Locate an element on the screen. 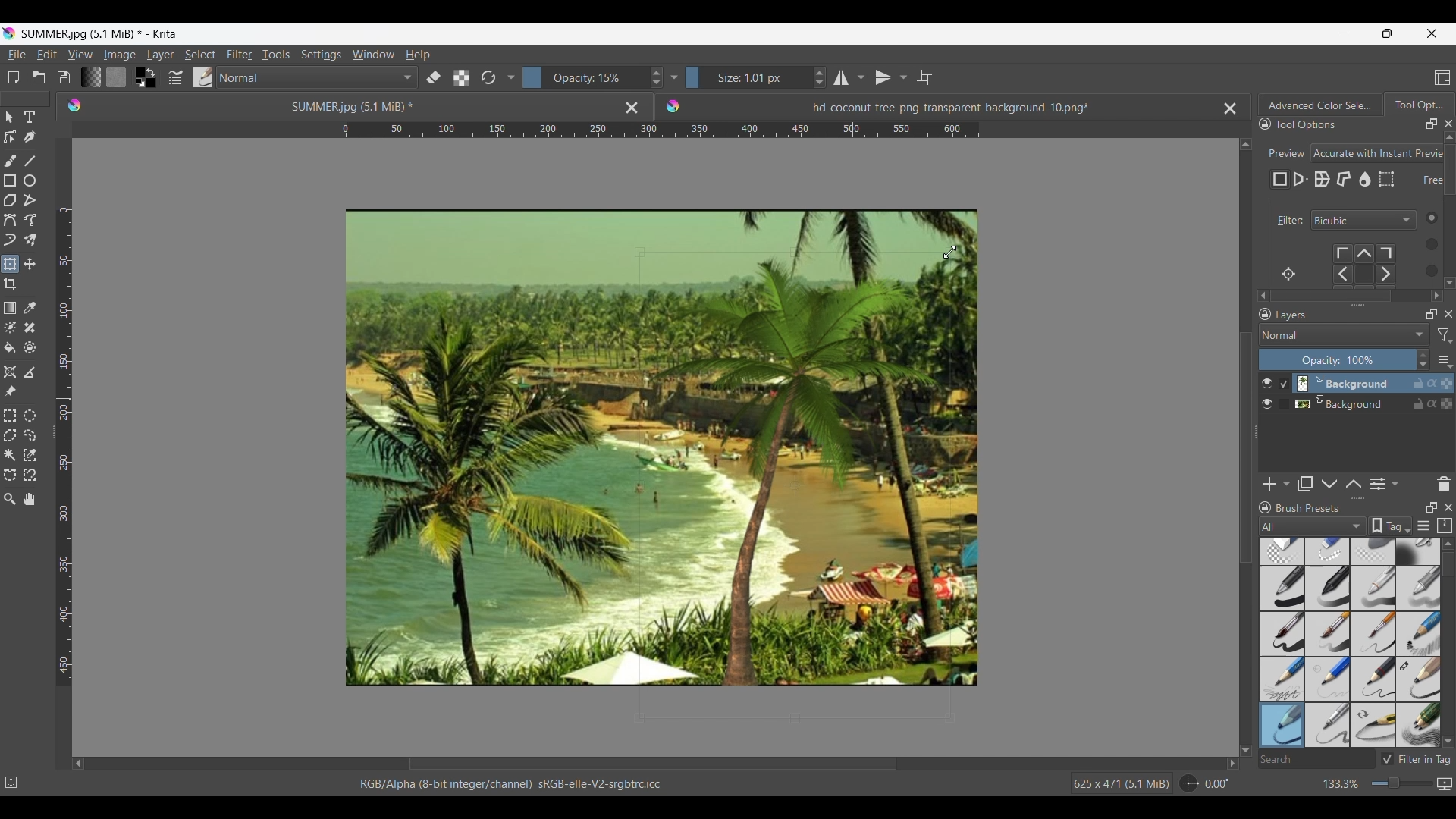 This screenshot has width=1456, height=819. Show/Hide layer is located at coordinates (1267, 384).